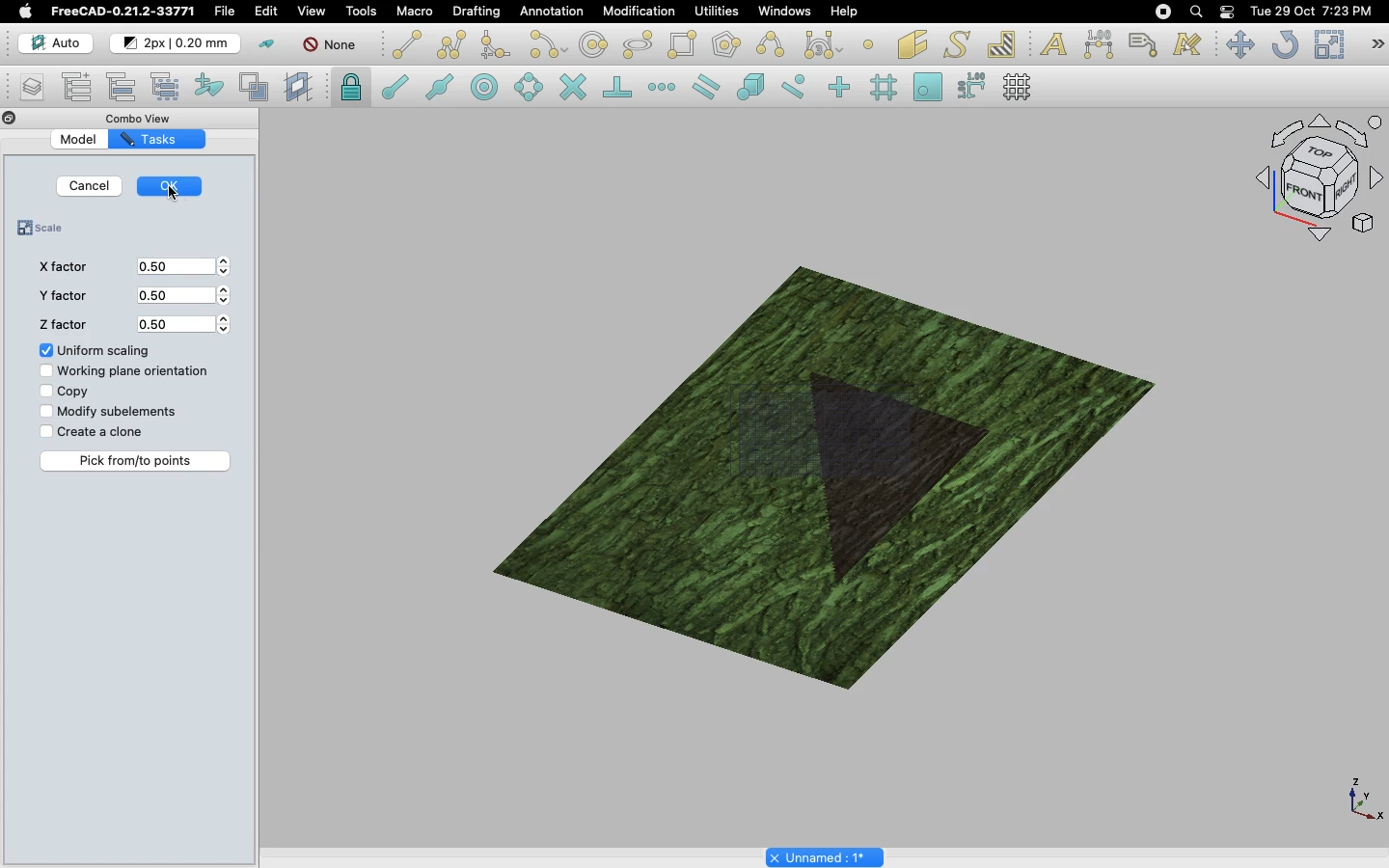 This screenshot has width=1389, height=868. I want to click on Text, so click(1053, 42).